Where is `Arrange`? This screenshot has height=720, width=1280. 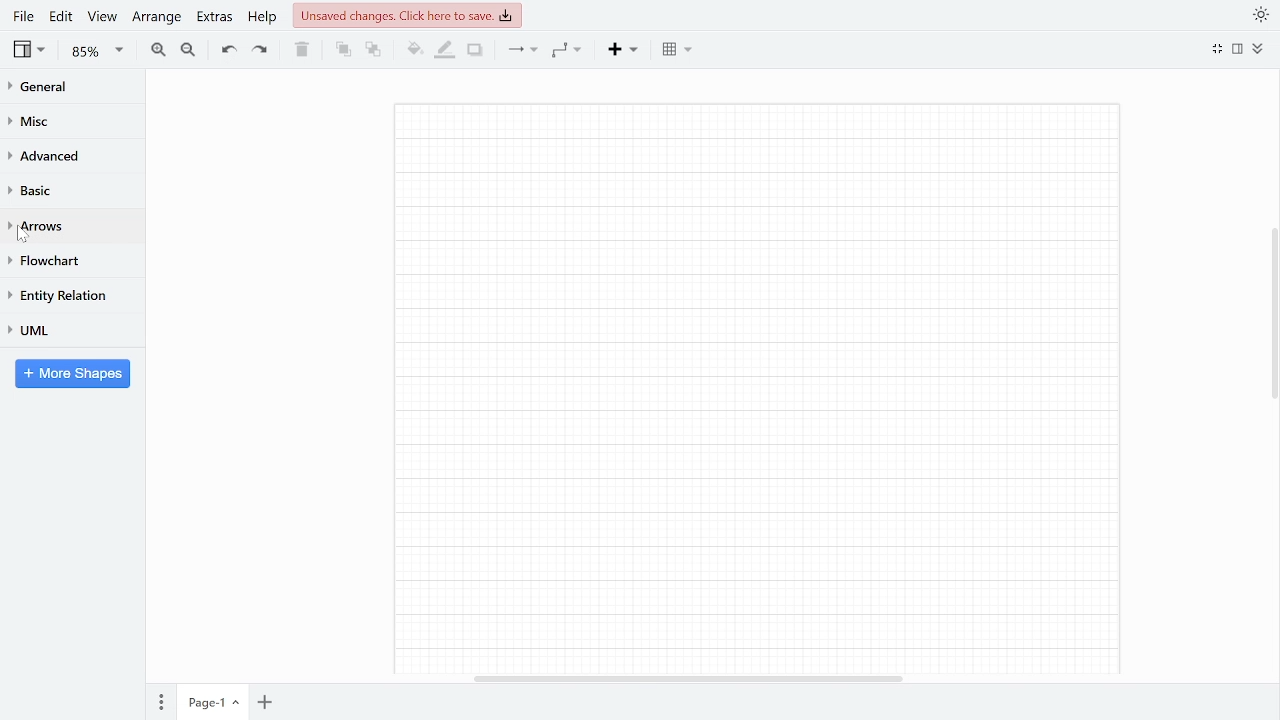 Arrange is located at coordinates (156, 17).